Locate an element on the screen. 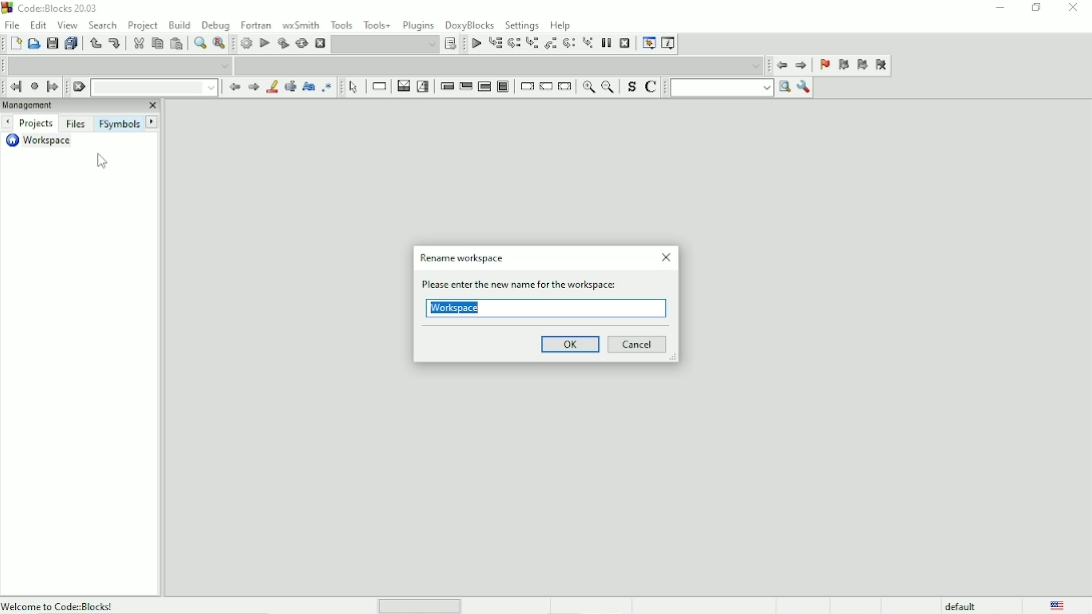 The width and height of the screenshot is (1092, 614). Copy is located at coordinates (156, 44).